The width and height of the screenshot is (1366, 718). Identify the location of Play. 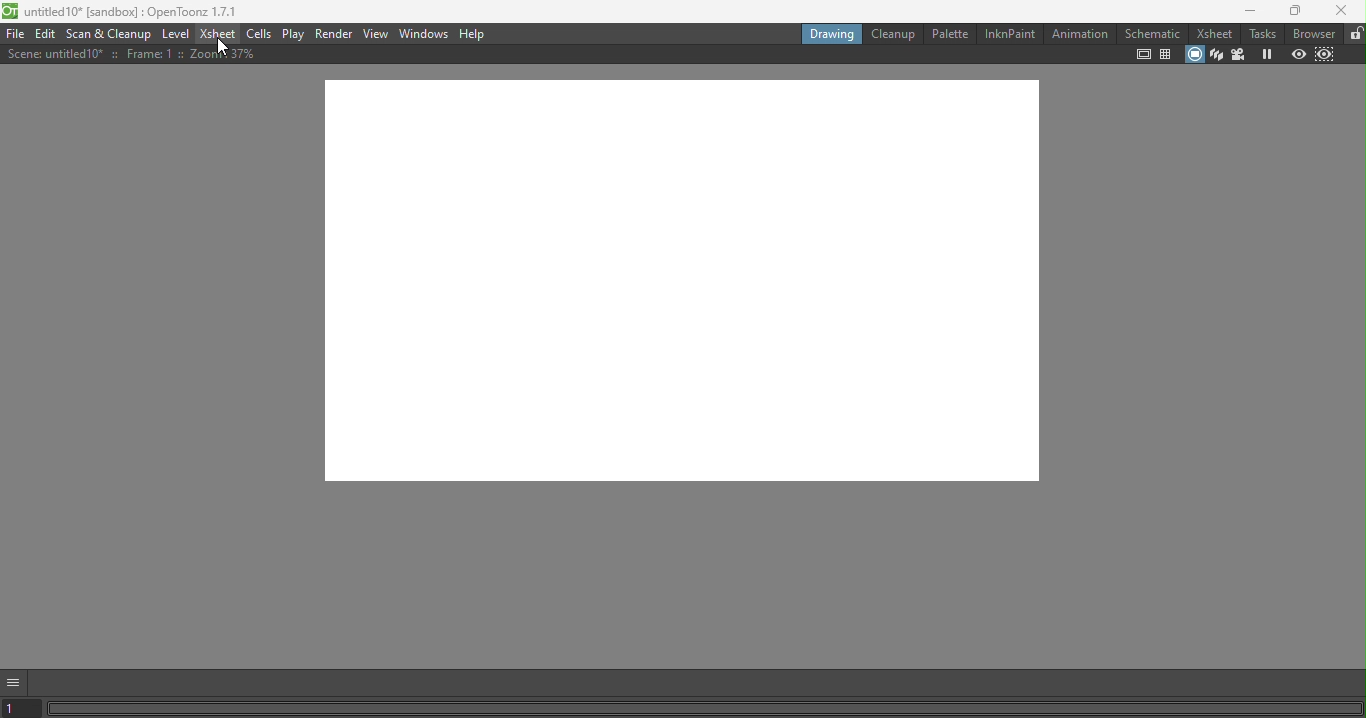
(294, 34).